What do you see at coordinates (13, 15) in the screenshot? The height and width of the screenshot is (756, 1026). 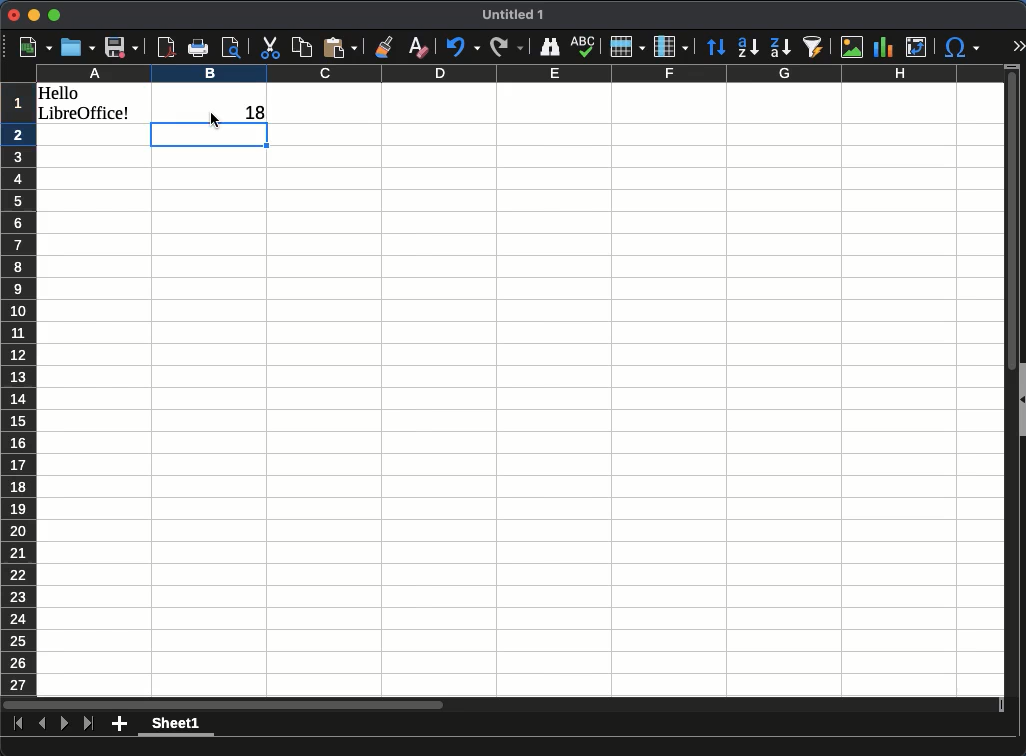 I see `Close` at bounding box center [13, 15].